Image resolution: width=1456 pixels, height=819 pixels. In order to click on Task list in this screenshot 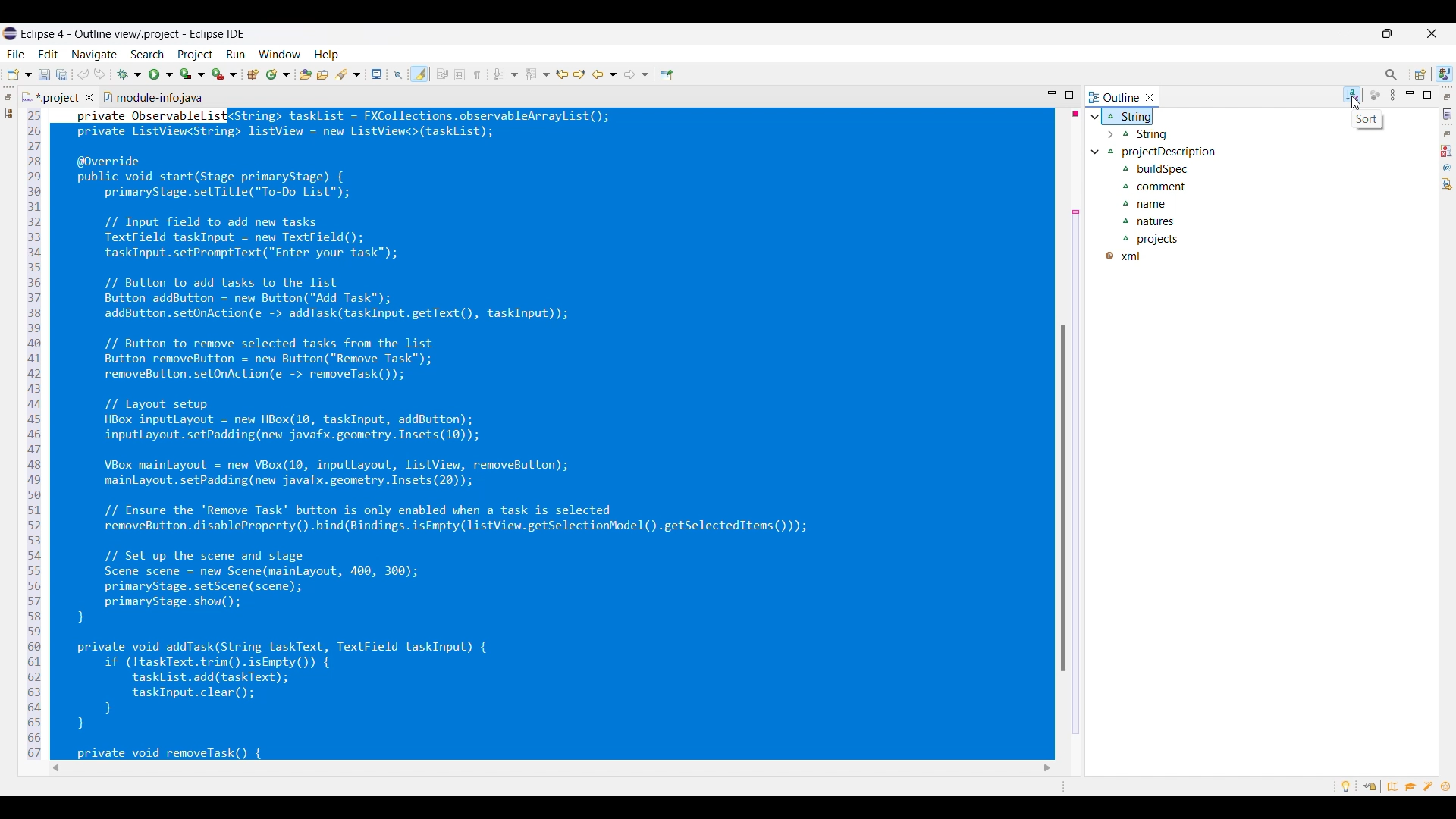, I will do `click(1448, 114)`.